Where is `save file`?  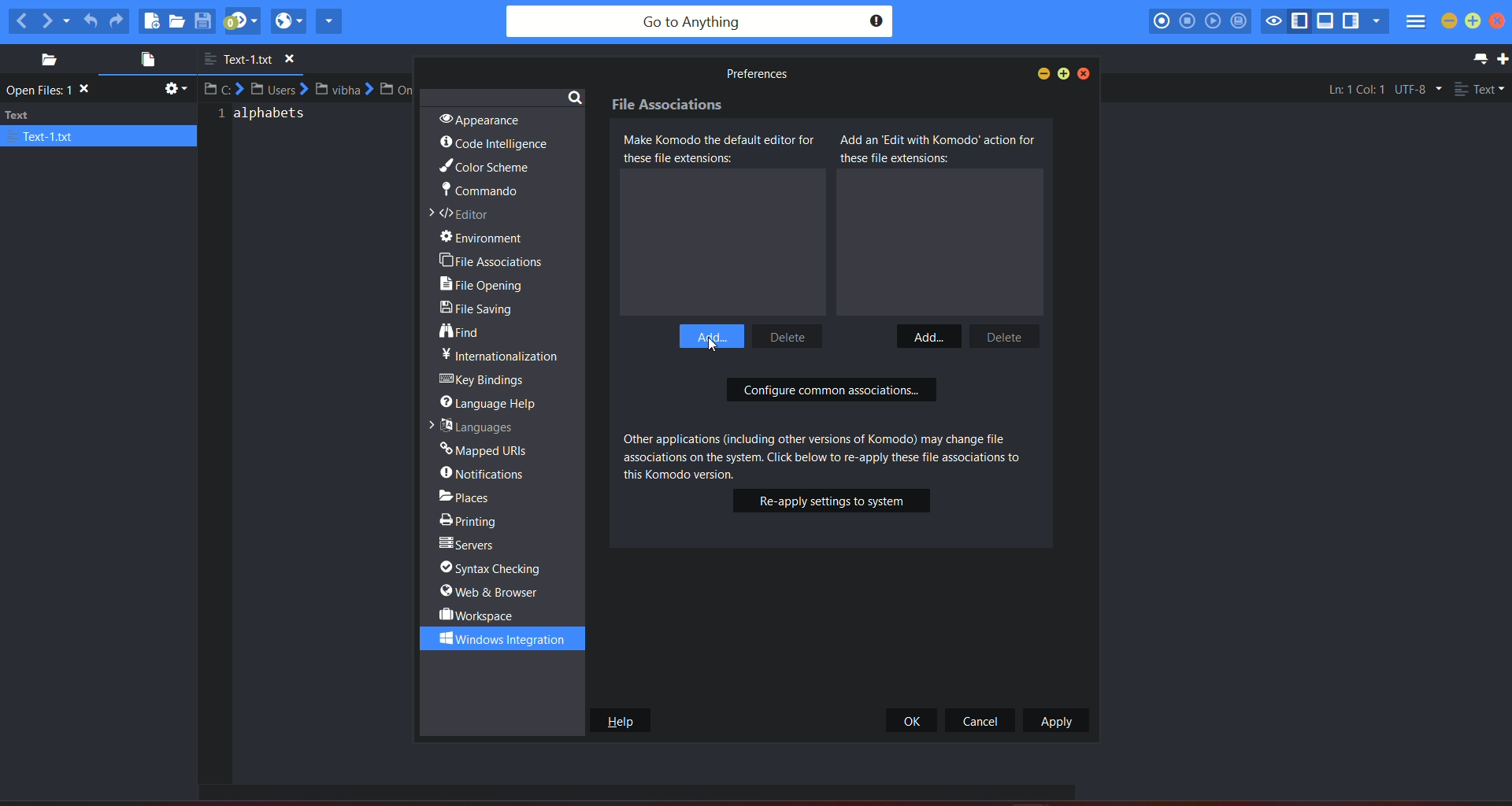
save file is located at coordinates (205, 20).